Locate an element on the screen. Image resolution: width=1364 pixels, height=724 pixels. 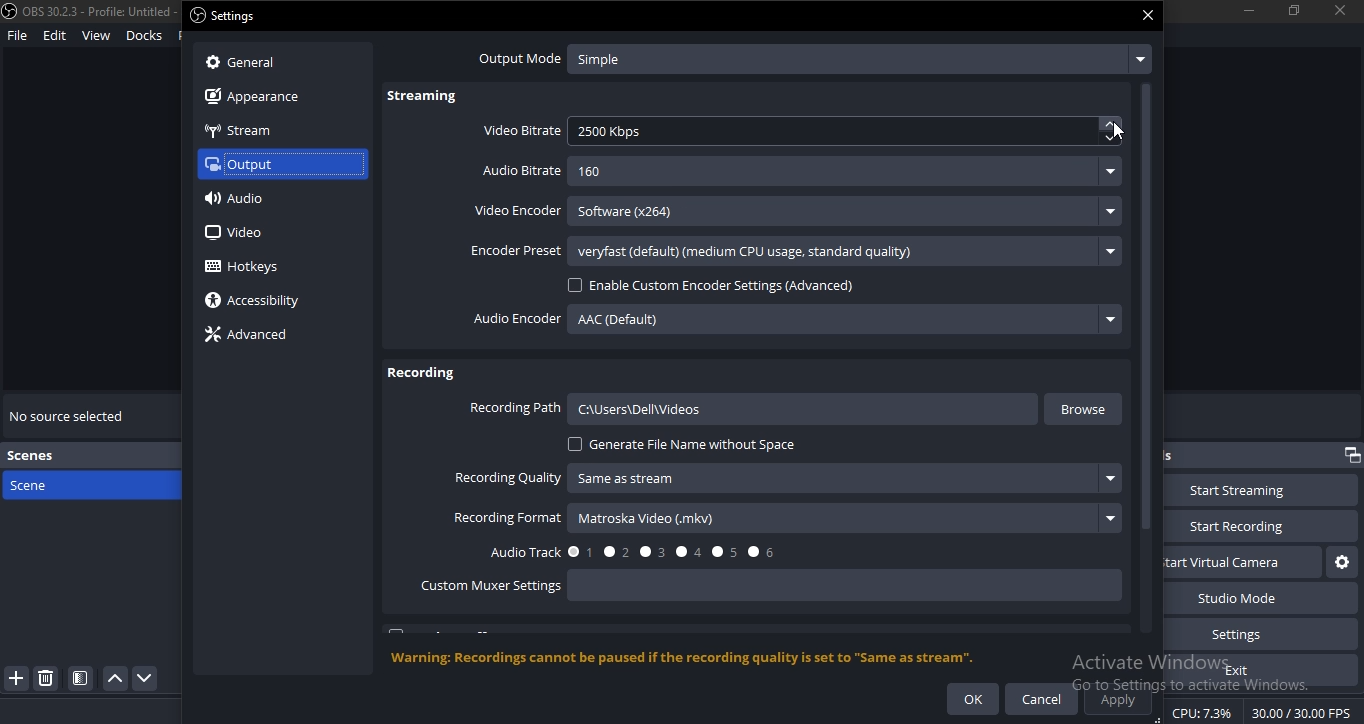
studio is located at coordinates (1251, 598).